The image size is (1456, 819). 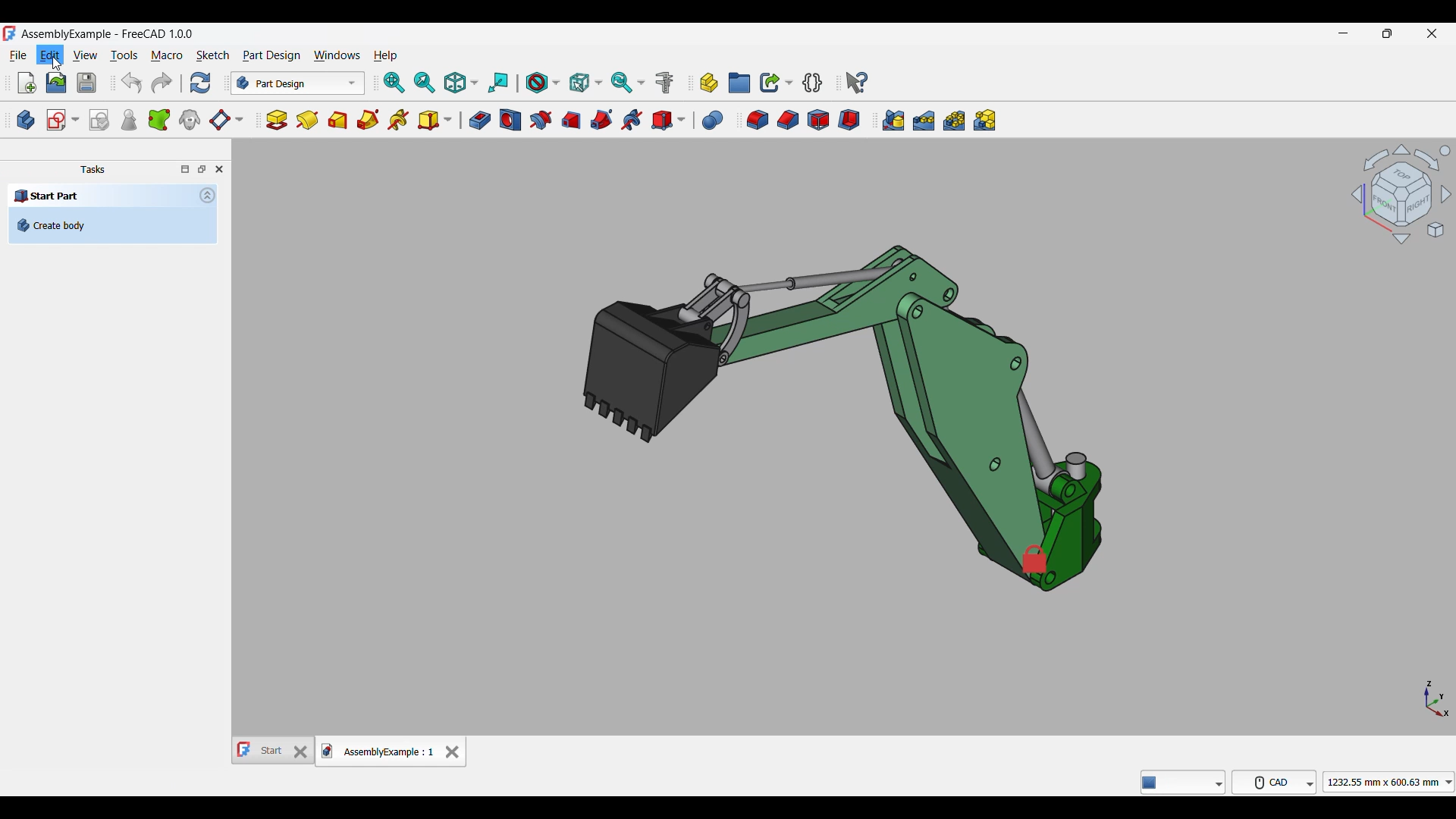 I want to click on Create an additive primitive, so click(x=435, y=121).